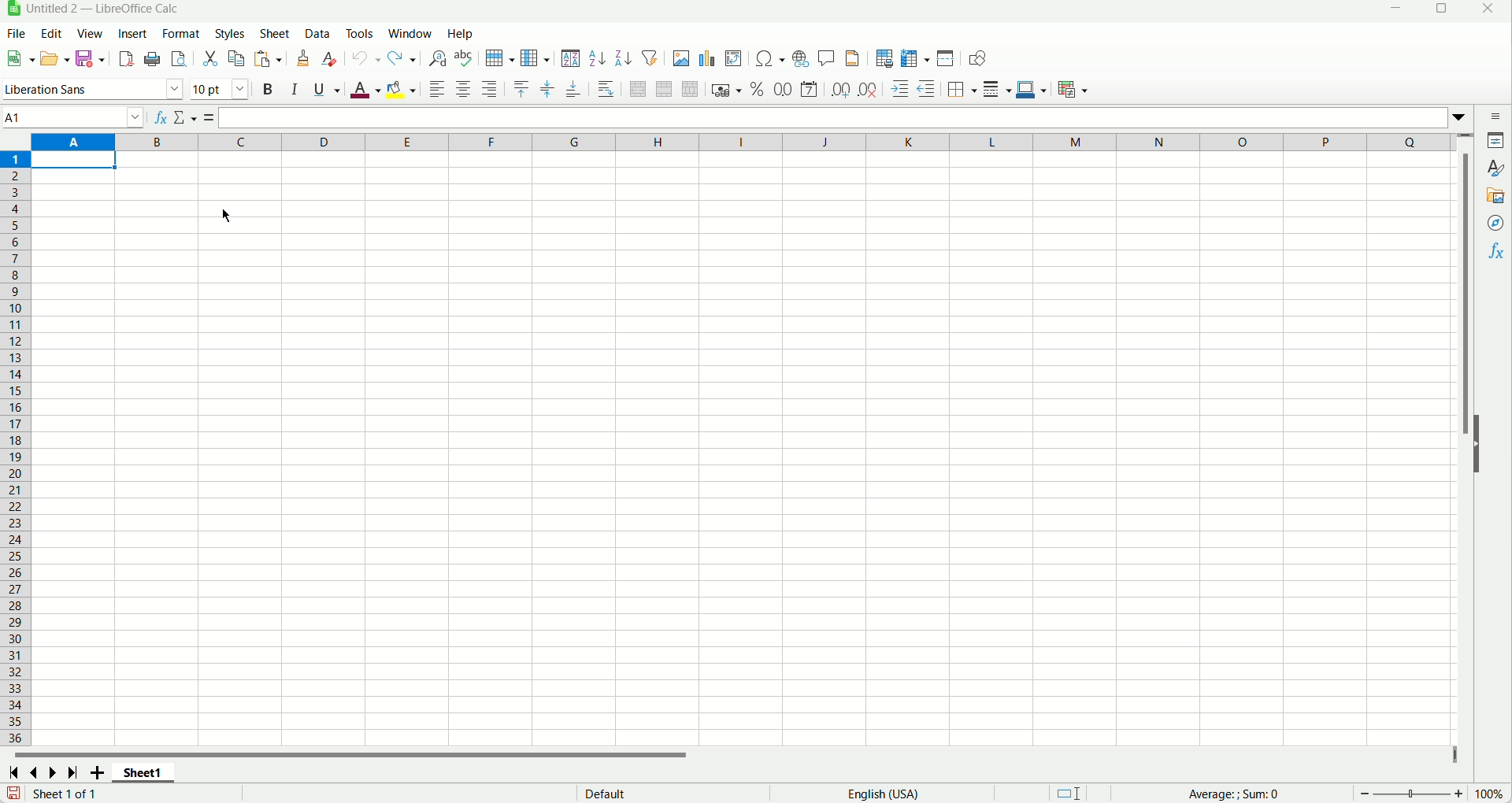 This screenshot has height=803, width=1512. I want to click on Insert, so click(132, 34).